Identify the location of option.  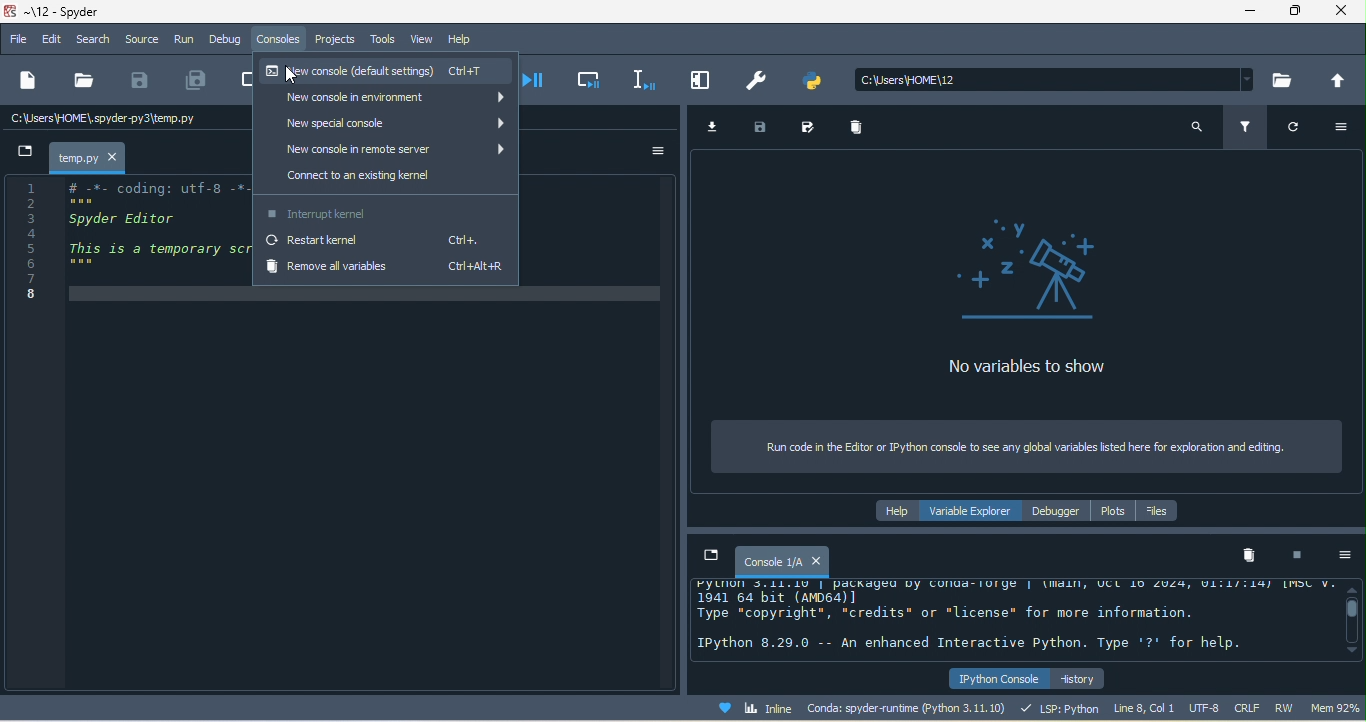
(657, 151).